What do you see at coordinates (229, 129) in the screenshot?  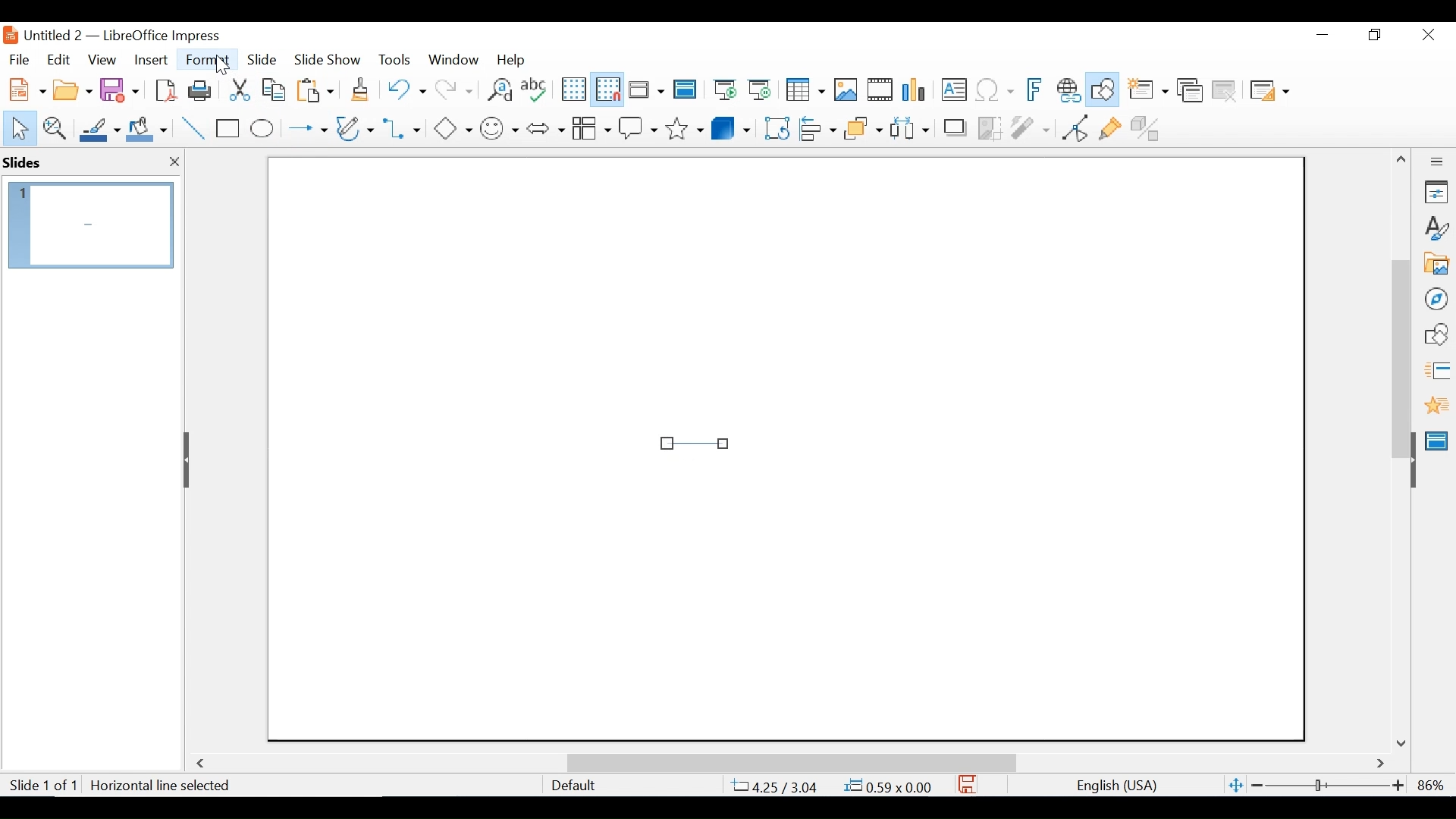 I see `Rectangle` at bounding box center [229, 129].